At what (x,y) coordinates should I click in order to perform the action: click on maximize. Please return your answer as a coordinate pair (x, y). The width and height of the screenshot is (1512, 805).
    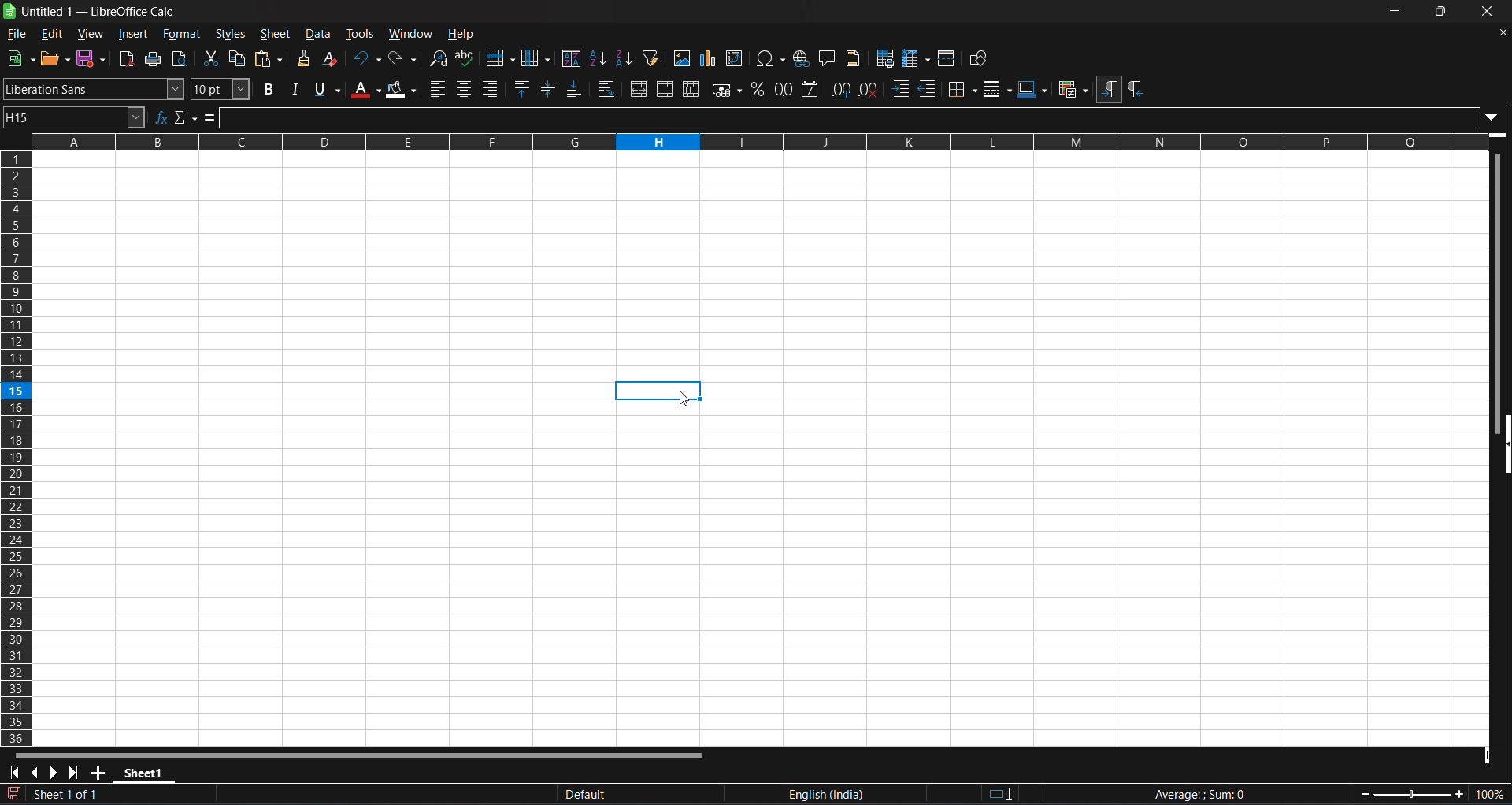
    Looking at the image, I should click on (1439, 12).